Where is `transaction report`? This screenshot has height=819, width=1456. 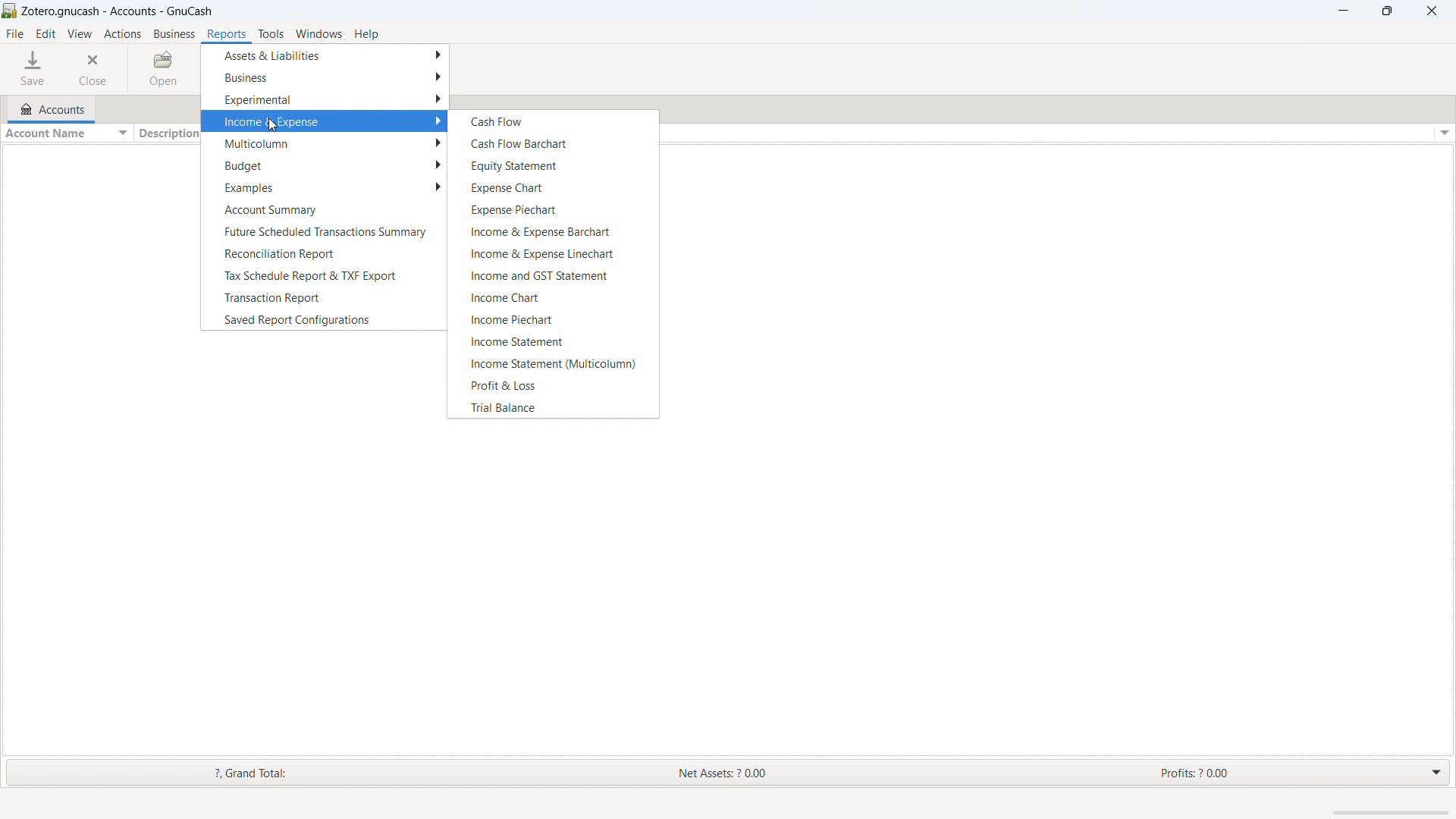 transaction report is located at coordinates (322, 297).